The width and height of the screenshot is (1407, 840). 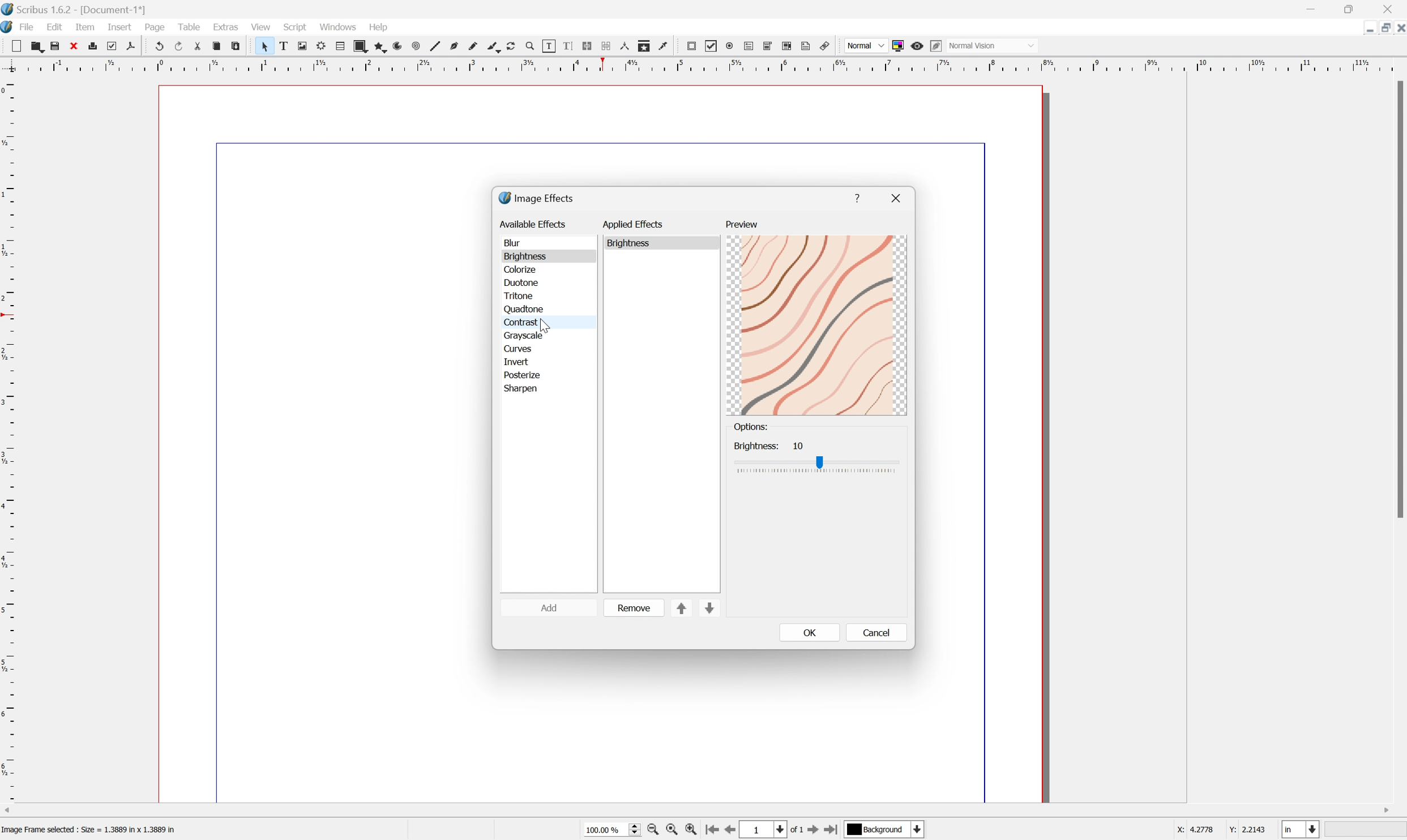 What do you see at coordinates (555, 608) in the screenshot?
I see `add` at bounding box center [555, 608].